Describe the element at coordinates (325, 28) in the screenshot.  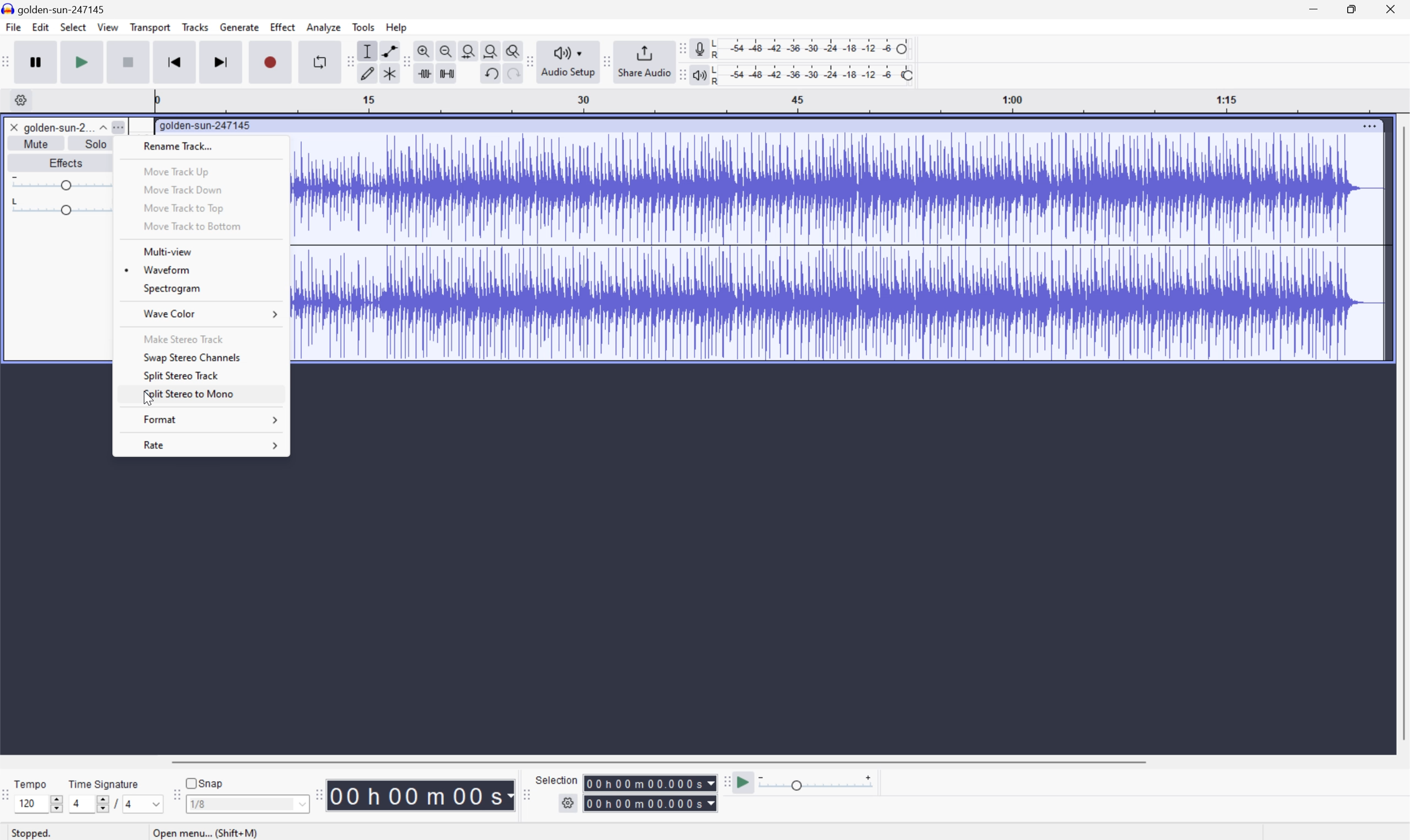
I see `Analyze` at that location.